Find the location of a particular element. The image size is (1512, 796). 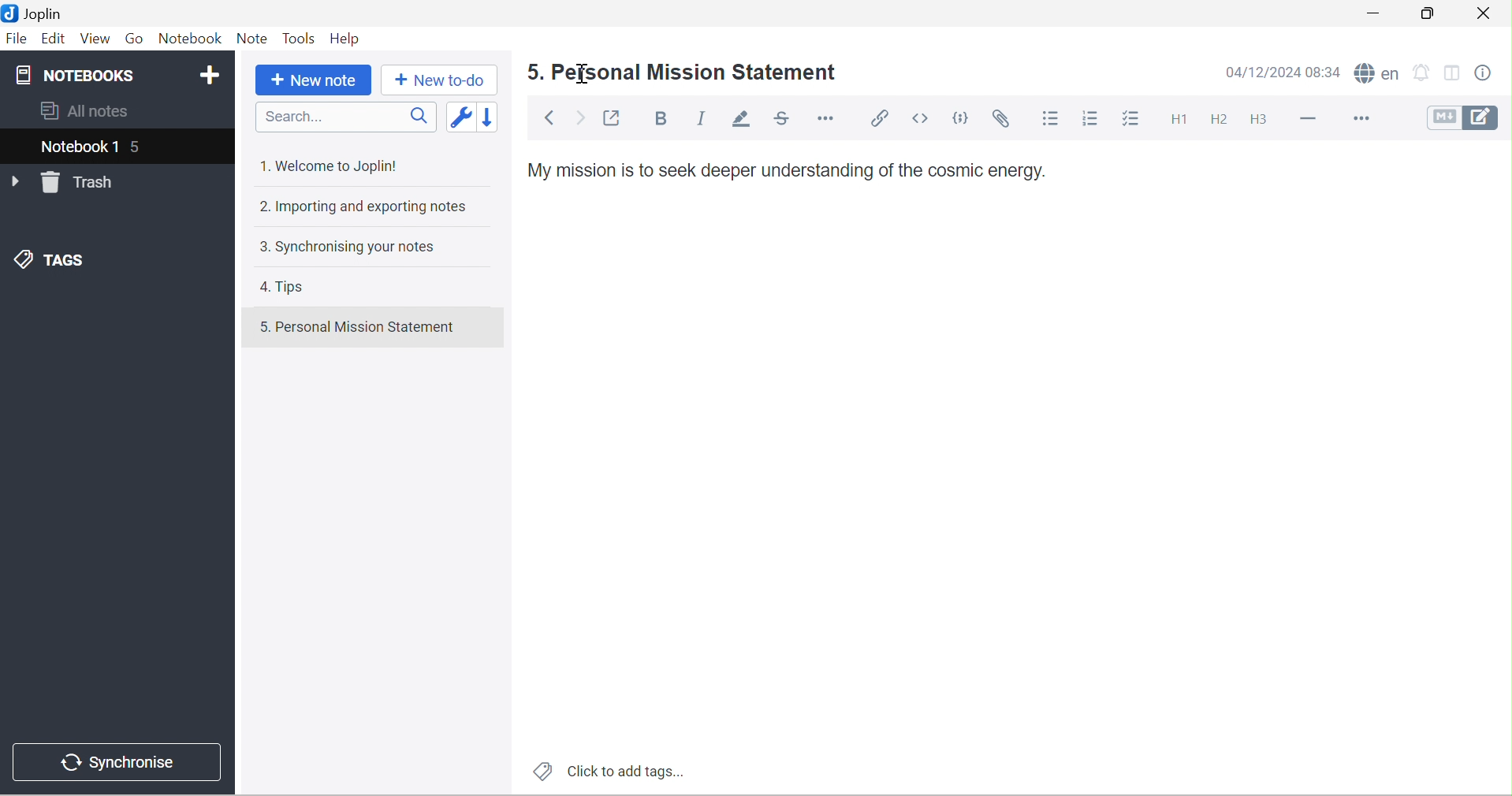

Back is located at coordinates (550, 117).